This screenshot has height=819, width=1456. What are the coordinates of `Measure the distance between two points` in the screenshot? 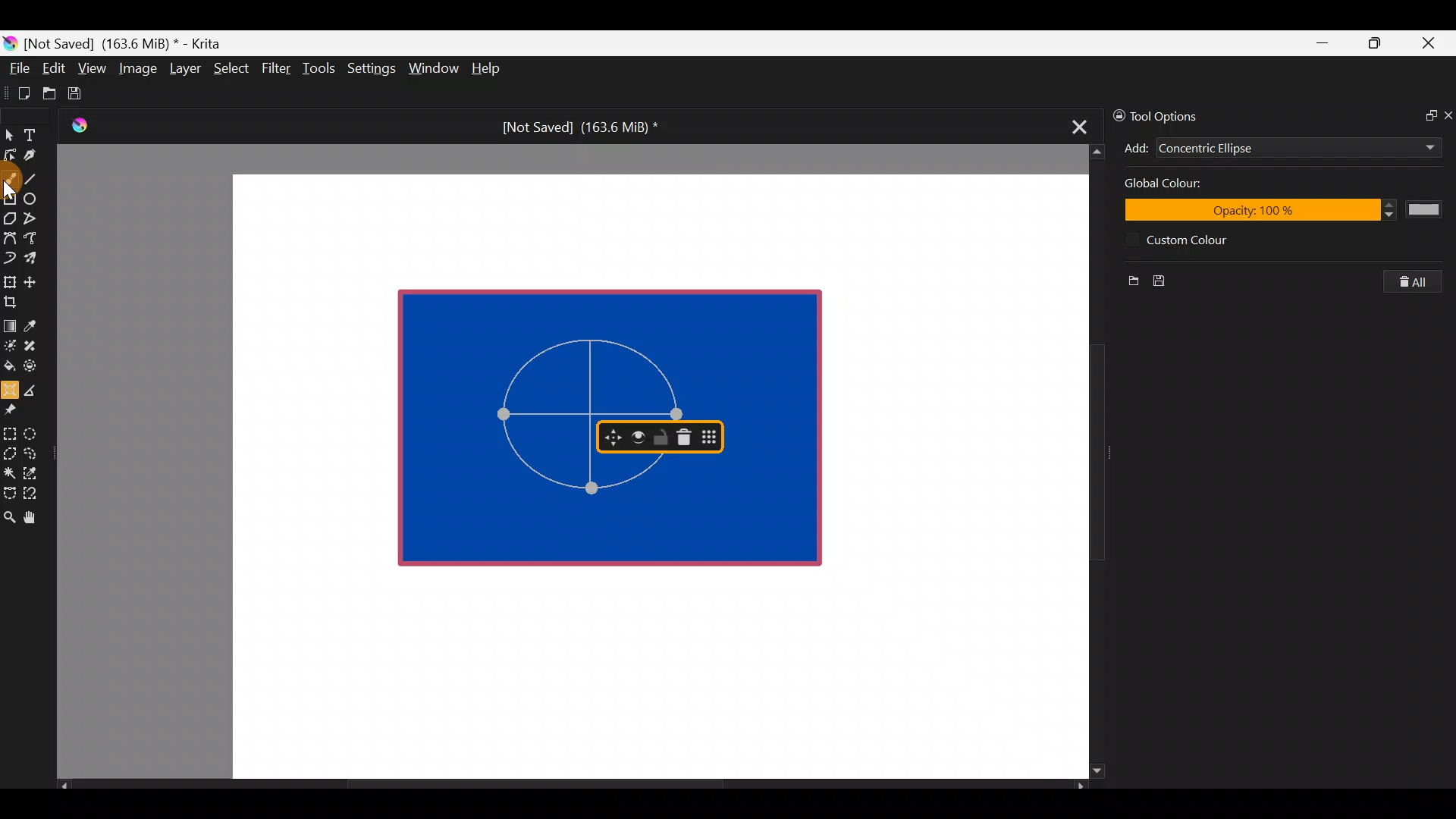 It's located at (35, 385).